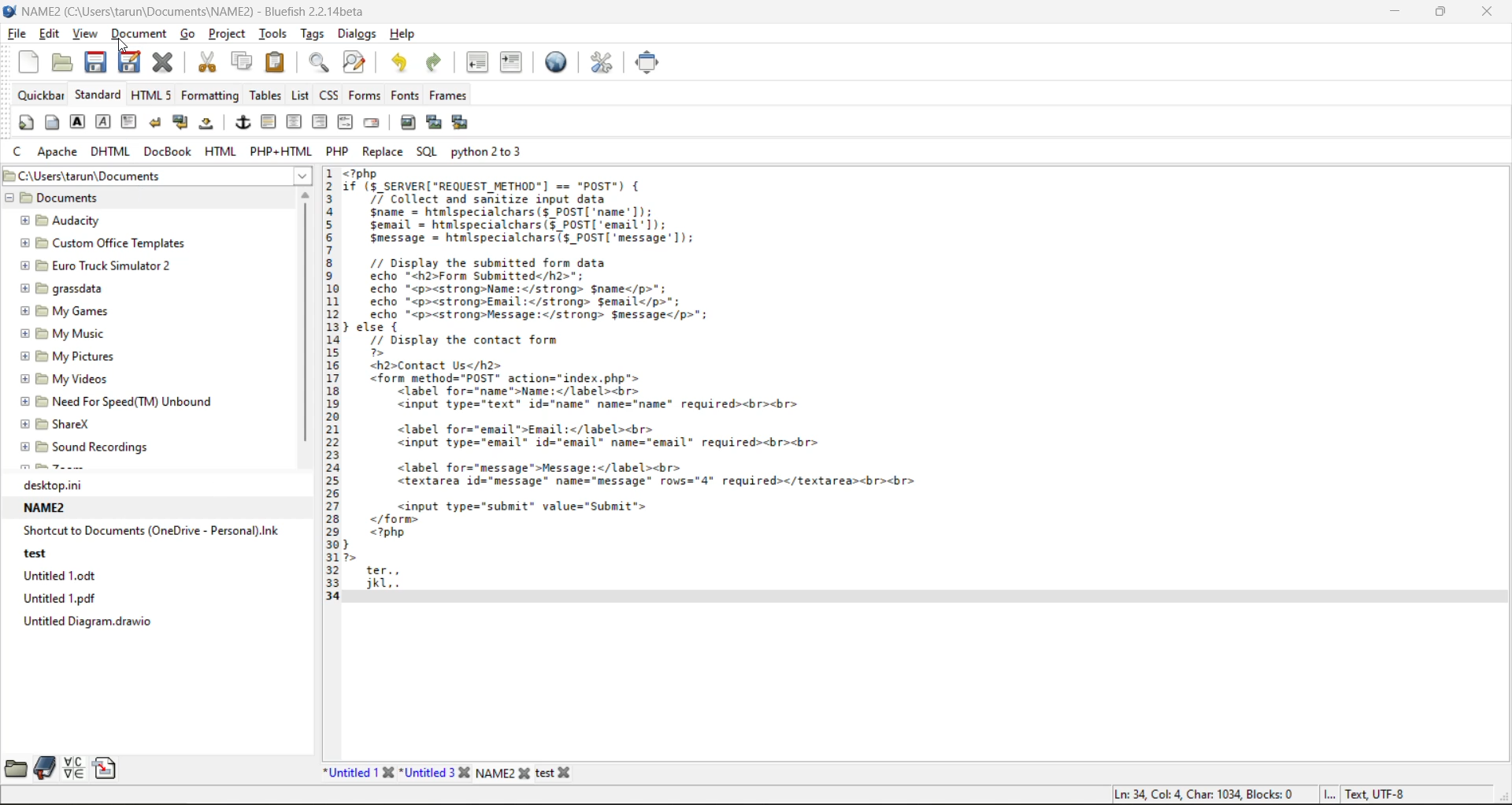  Describe the element at coordinates (280, 150) in the screenshot. I see `php html` at that location.